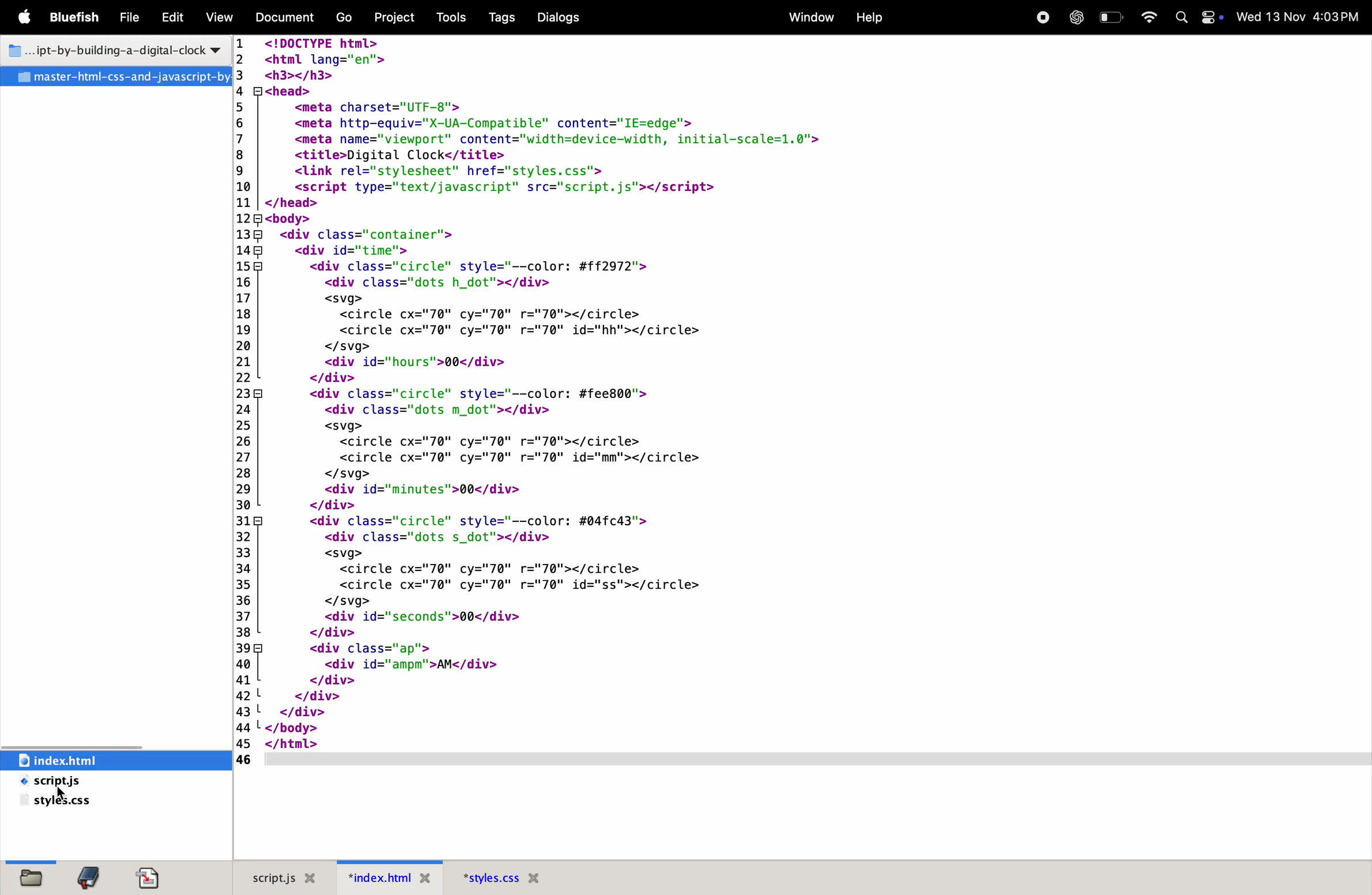  Describe the element at coordinates (533, 388) in the screenshot. I see `Riad A eb ddl
<html lang="en">
<h3></h3>
<head>
<meta charset="UTF-8">
<meta http-equiv="X-UA-Compatible" content="IE=edge">
<meta name="viewport" content="width=device-width, initi.
<title>Digital Clock</title>
<link rel="stylesheet" href="styles.css">
j <script type="text/javascript" src="script.js"></script>
| </head>
El<body>
El <div class="container">
I=! <div id="time">
<div class="circle" style="--color: #ff2972">
<div class="dots h_dot"></div>
i <svg>
<circle cx="70" cy="70" r="70"></circle>
<circle cx="70" cy="70" r="70" id="hh"></circle>
] </svg>
<div id="hours">00</div>
</div>
<div class="circle" style="--color: #fee800">
<div class="dots m_dot"></div>
] <svg>
<circle cx="70" cy="70" r="70"></circle>
‘ <circle cx="70" cy="70" r="70" id="mm"></circle>
</svg>
i <div id="minutes">00</div>
] </div>
<div class="circle" style="--color: #04fc43">
: <div class="dots s_dot"></div>
] <svg>
<circle cx="70" cy="70" r="70"></circle>
<circle cx="70" cy="70" r="70" id="ss"></circle>
</svg>
<div id="seconds">00</div>
</div>
<div class="ap">
i <div id="ampm">AM</div>
</div>
L </div>
Lo </div>
</body>
</html>` at that location.